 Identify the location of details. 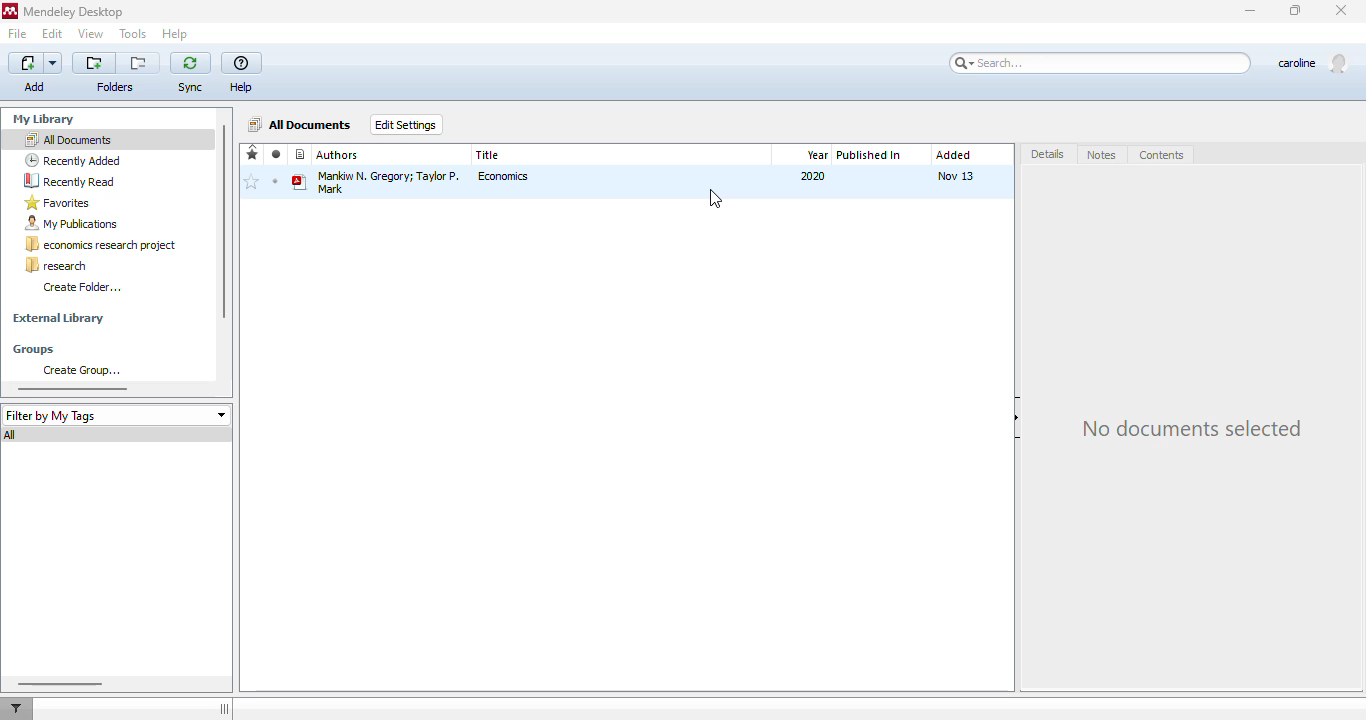
(1048, 154).